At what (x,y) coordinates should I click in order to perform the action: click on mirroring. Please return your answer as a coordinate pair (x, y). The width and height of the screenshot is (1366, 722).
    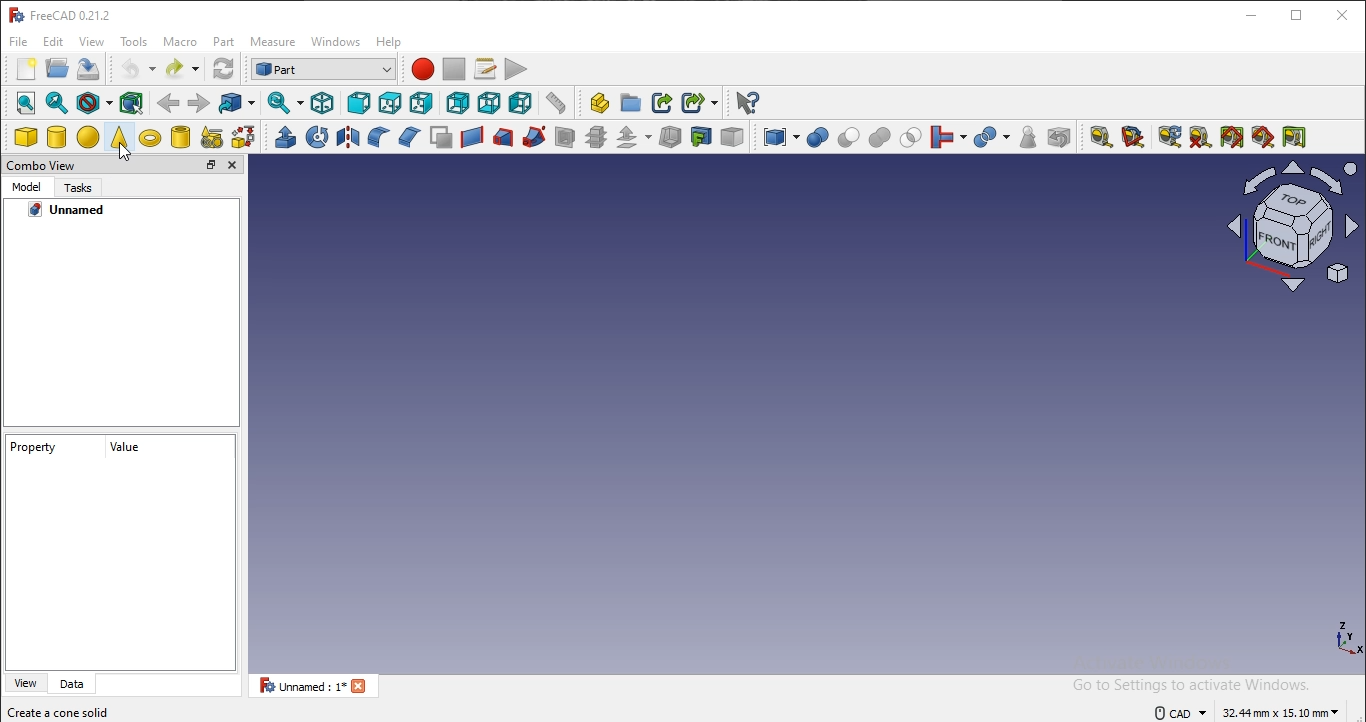
    Looking at the image, I should click on (346, 137).